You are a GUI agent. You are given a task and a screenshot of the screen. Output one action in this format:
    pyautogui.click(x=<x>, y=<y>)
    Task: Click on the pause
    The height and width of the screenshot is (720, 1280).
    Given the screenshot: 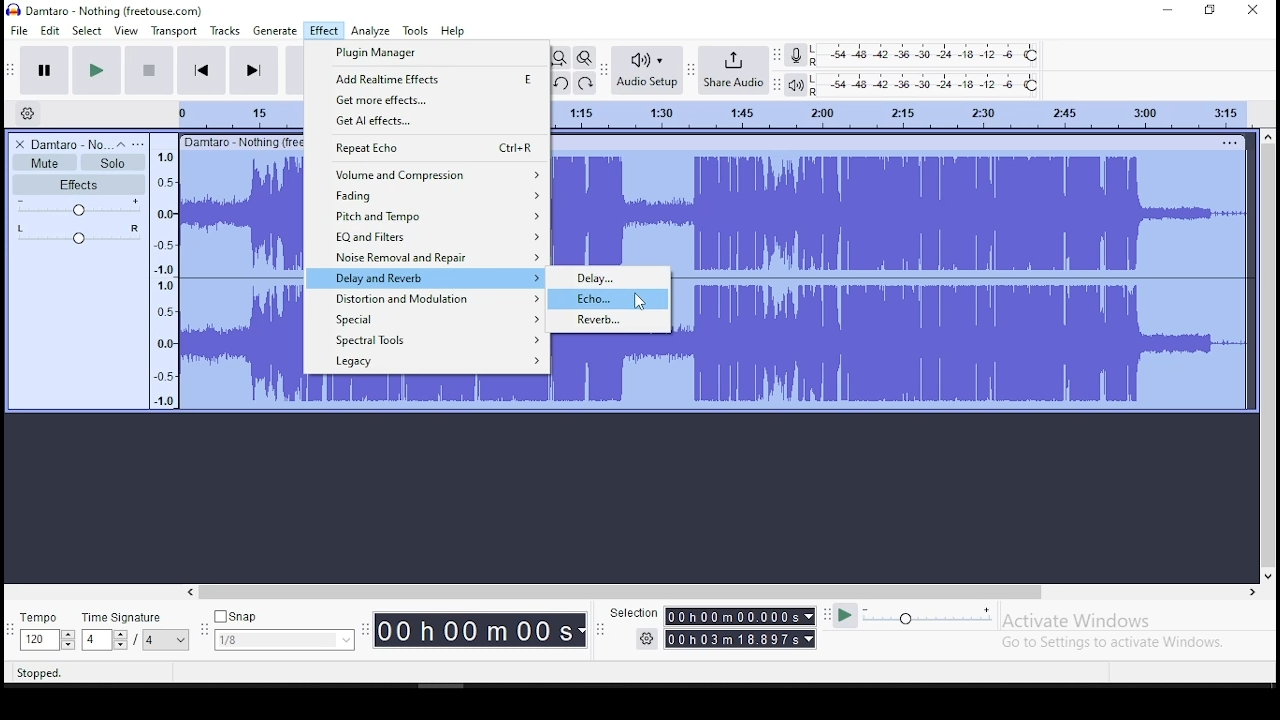 What is the action you would take?
    pyautogui.click(x=46, y=69)
    